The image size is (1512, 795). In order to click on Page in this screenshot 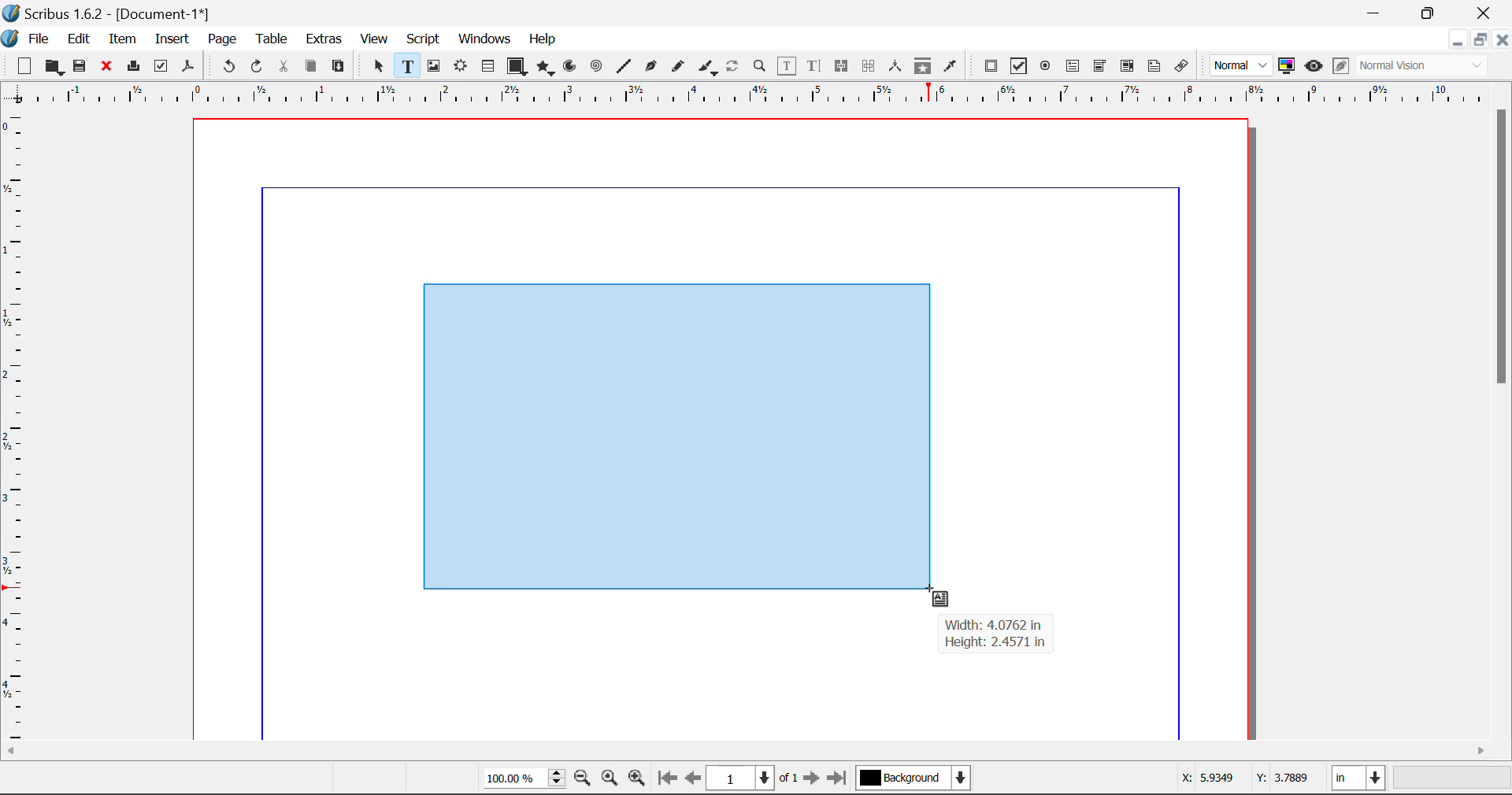, I will do `click(221, 39)`.